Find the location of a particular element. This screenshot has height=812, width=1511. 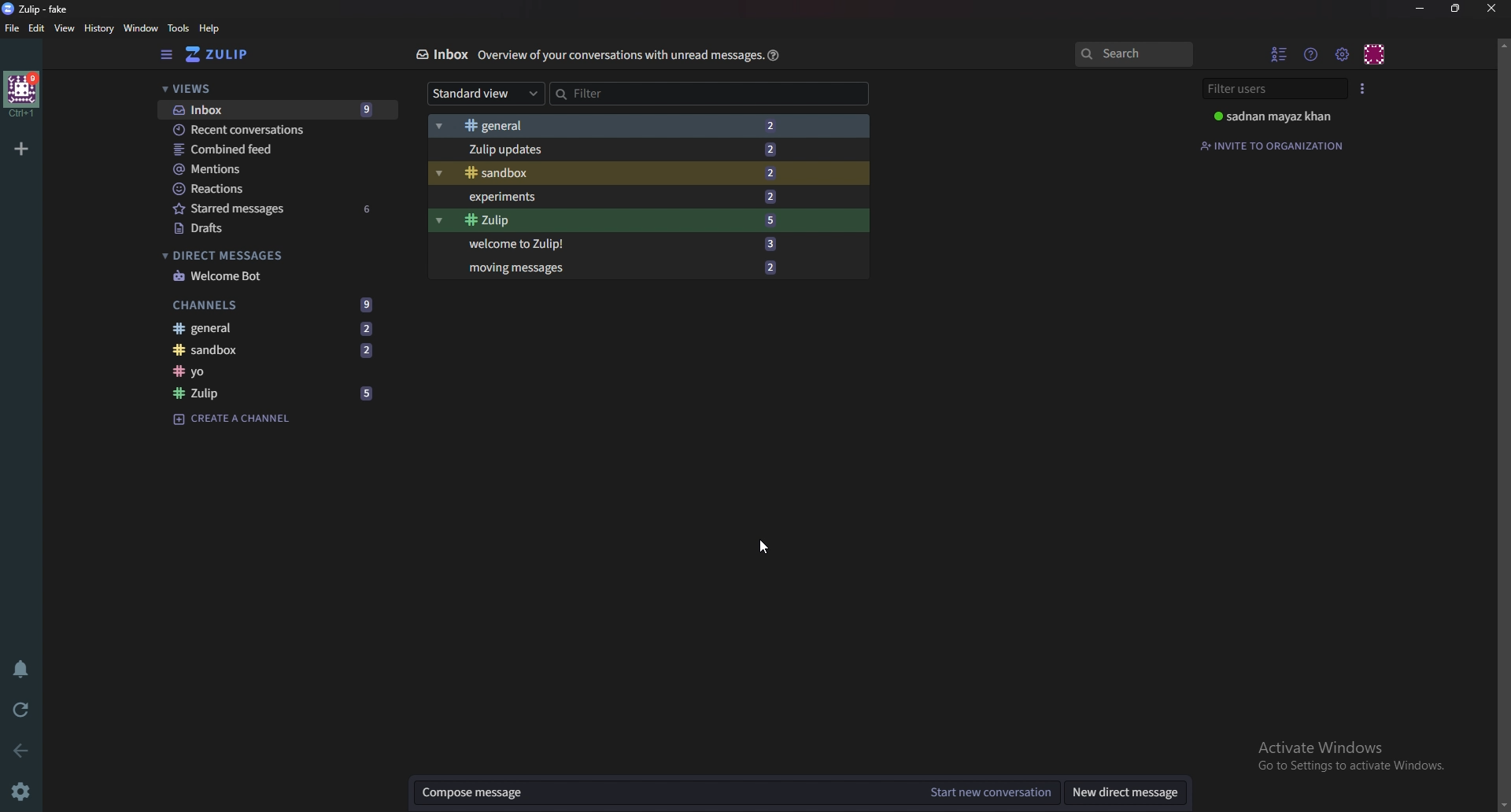

Start new conversation is located at coordinates (992, 792).